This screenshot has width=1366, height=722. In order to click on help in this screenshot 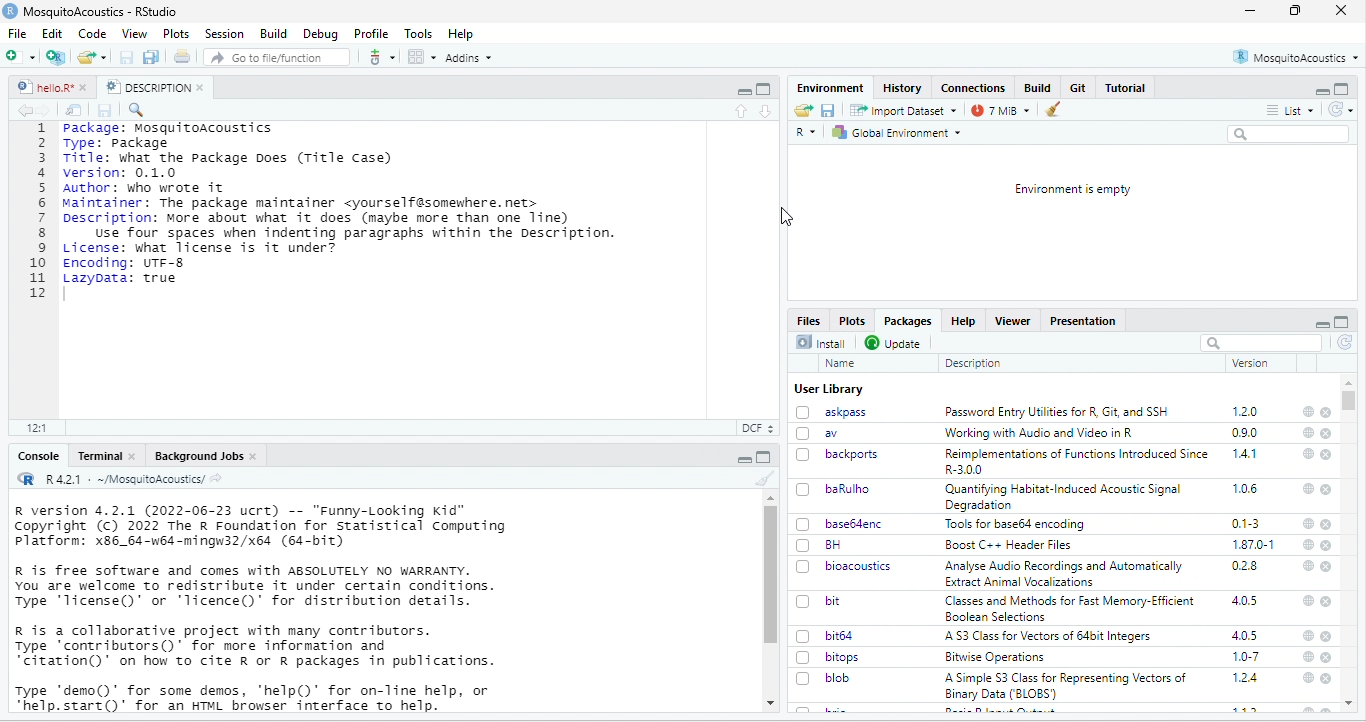, I will do `click(1306, 523)`.